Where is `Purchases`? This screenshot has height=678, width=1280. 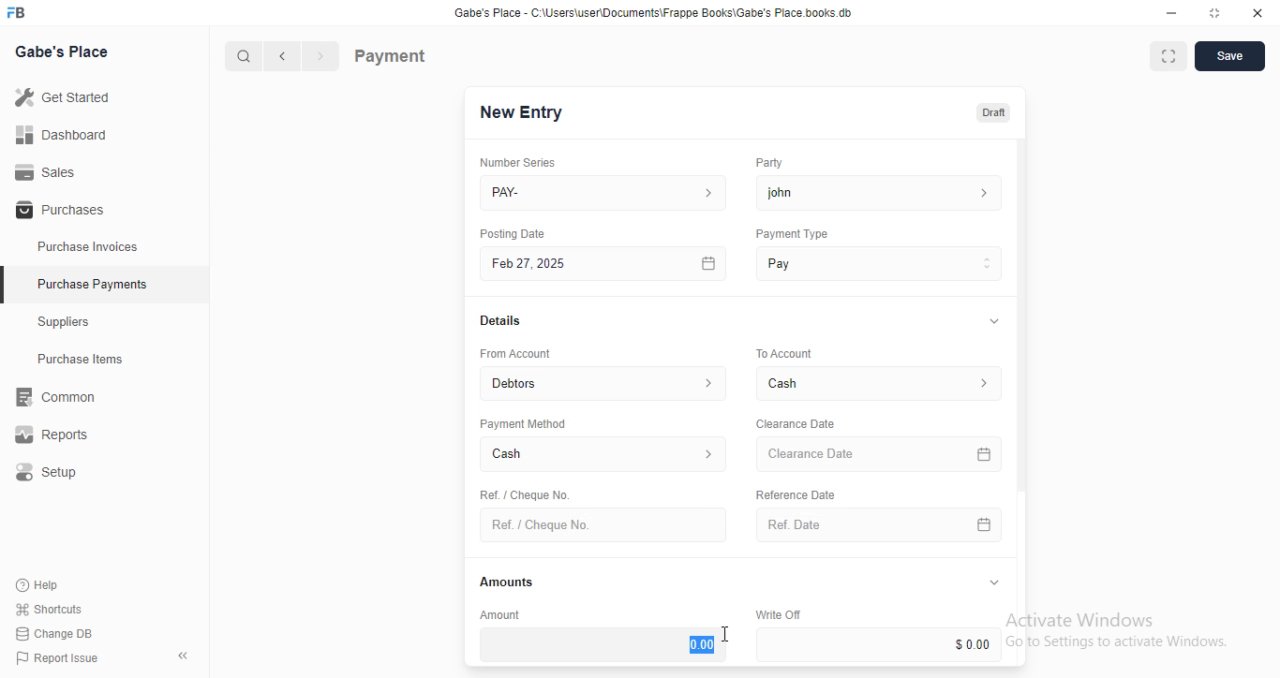 Purchases is located at coordinates (57, 211).